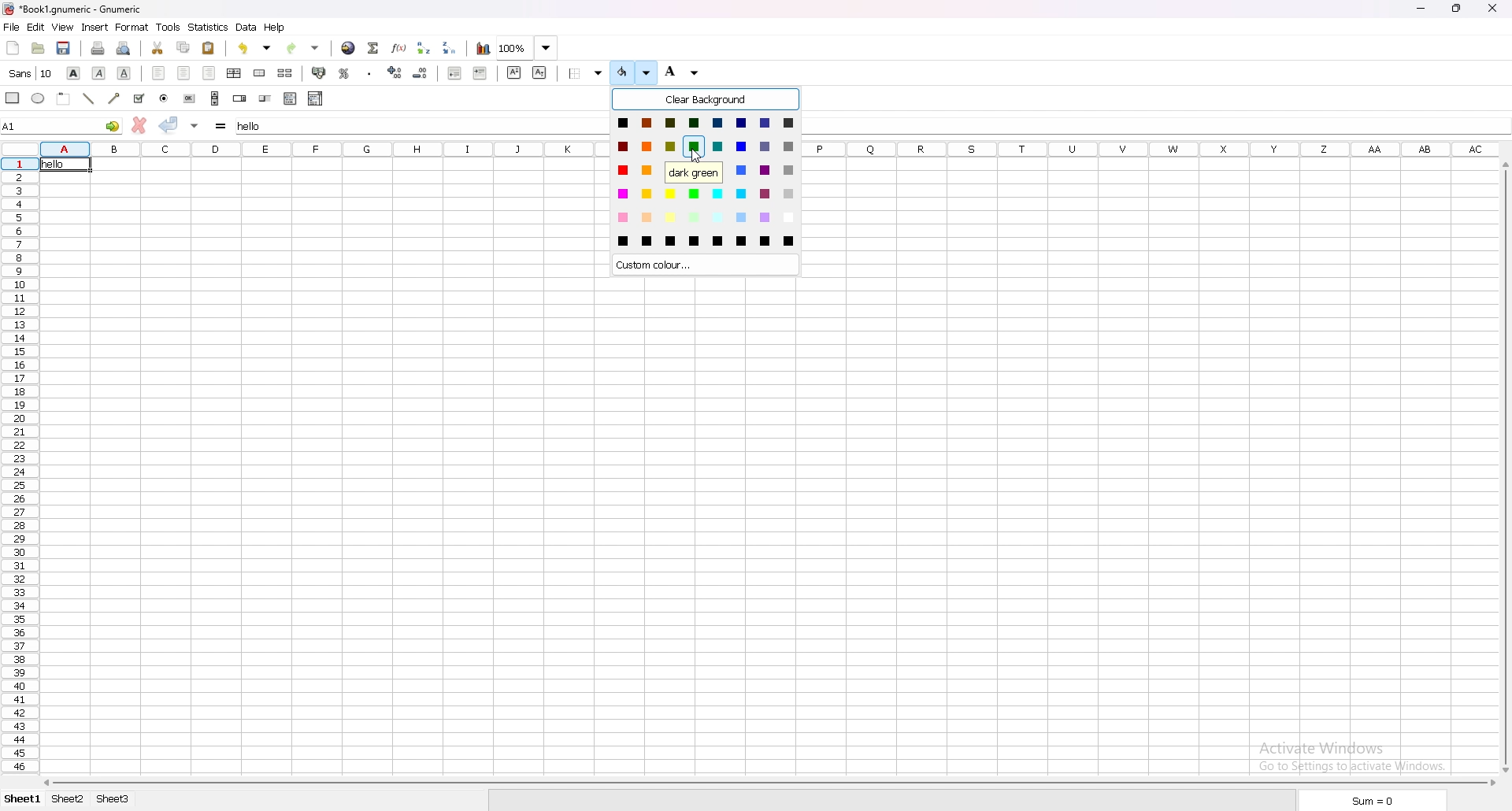  I want to click on new, so click(13, 46).